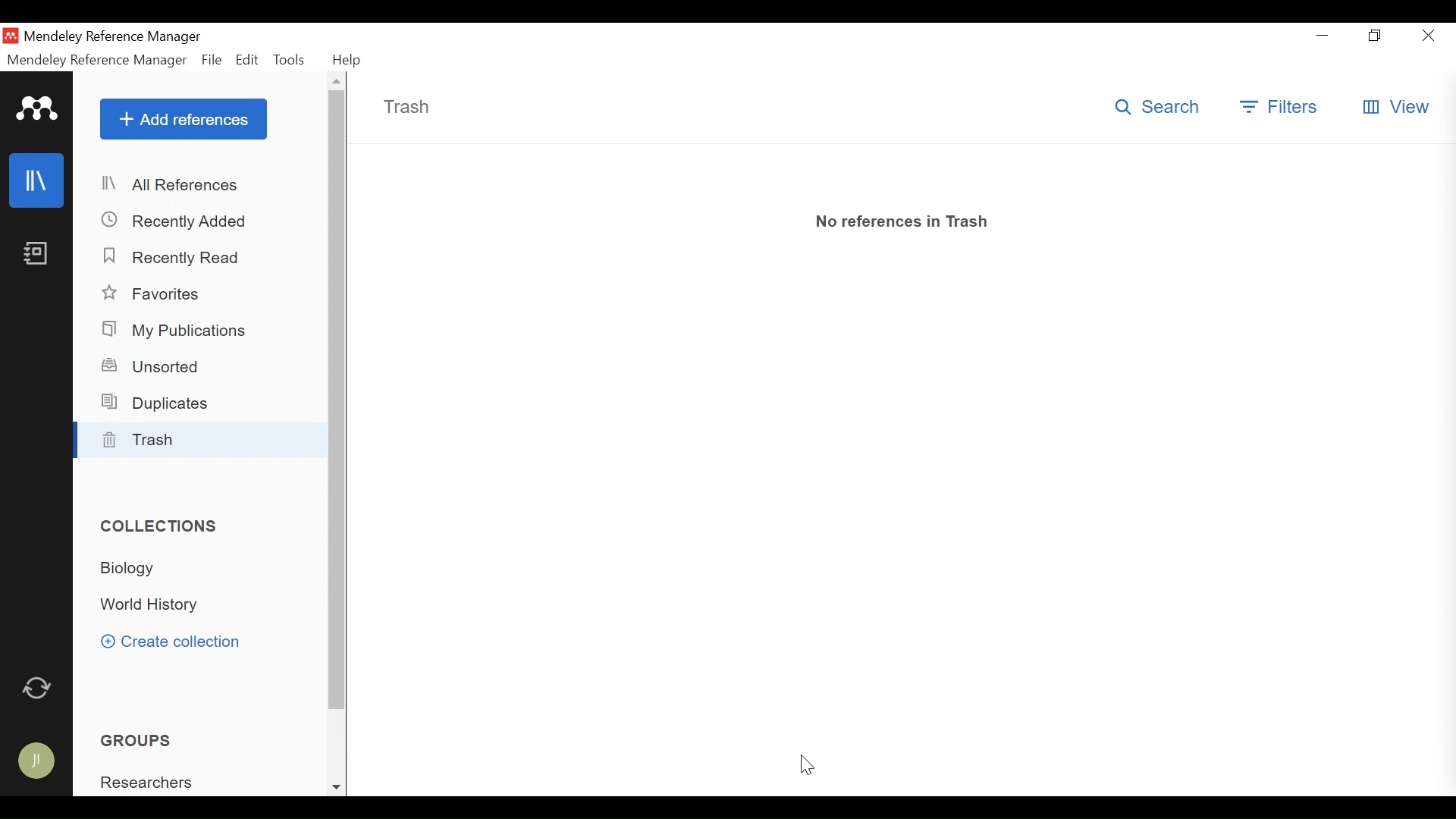 This screenshot has width=1456, height=819. What do you see at coordinates (247, 60) in the screenshot?
I see `Edit` at bounding box center [247, 60].